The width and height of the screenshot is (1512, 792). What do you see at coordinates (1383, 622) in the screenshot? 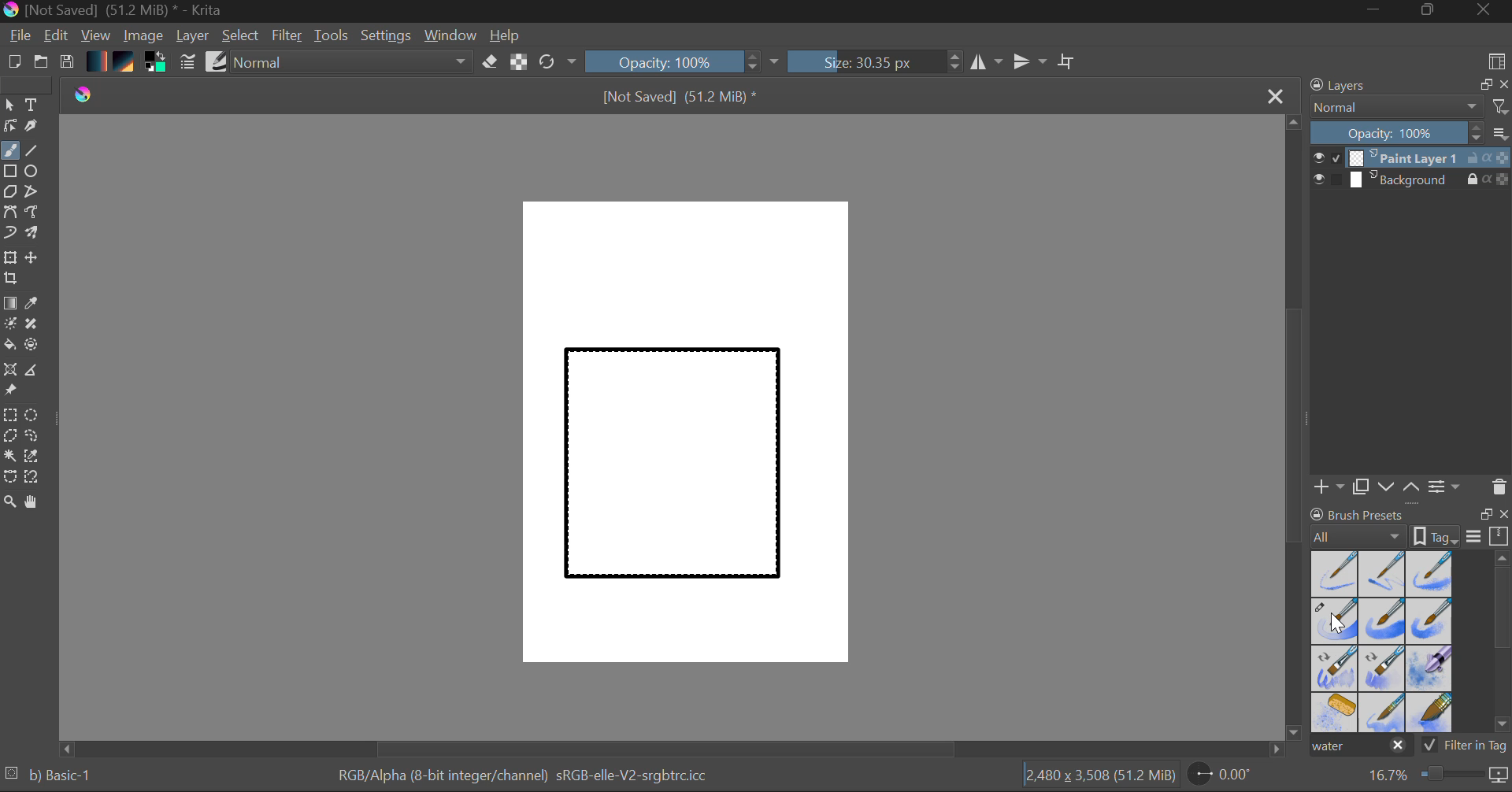
I see `Water C - Grain` at bounding box center [1383, 622].